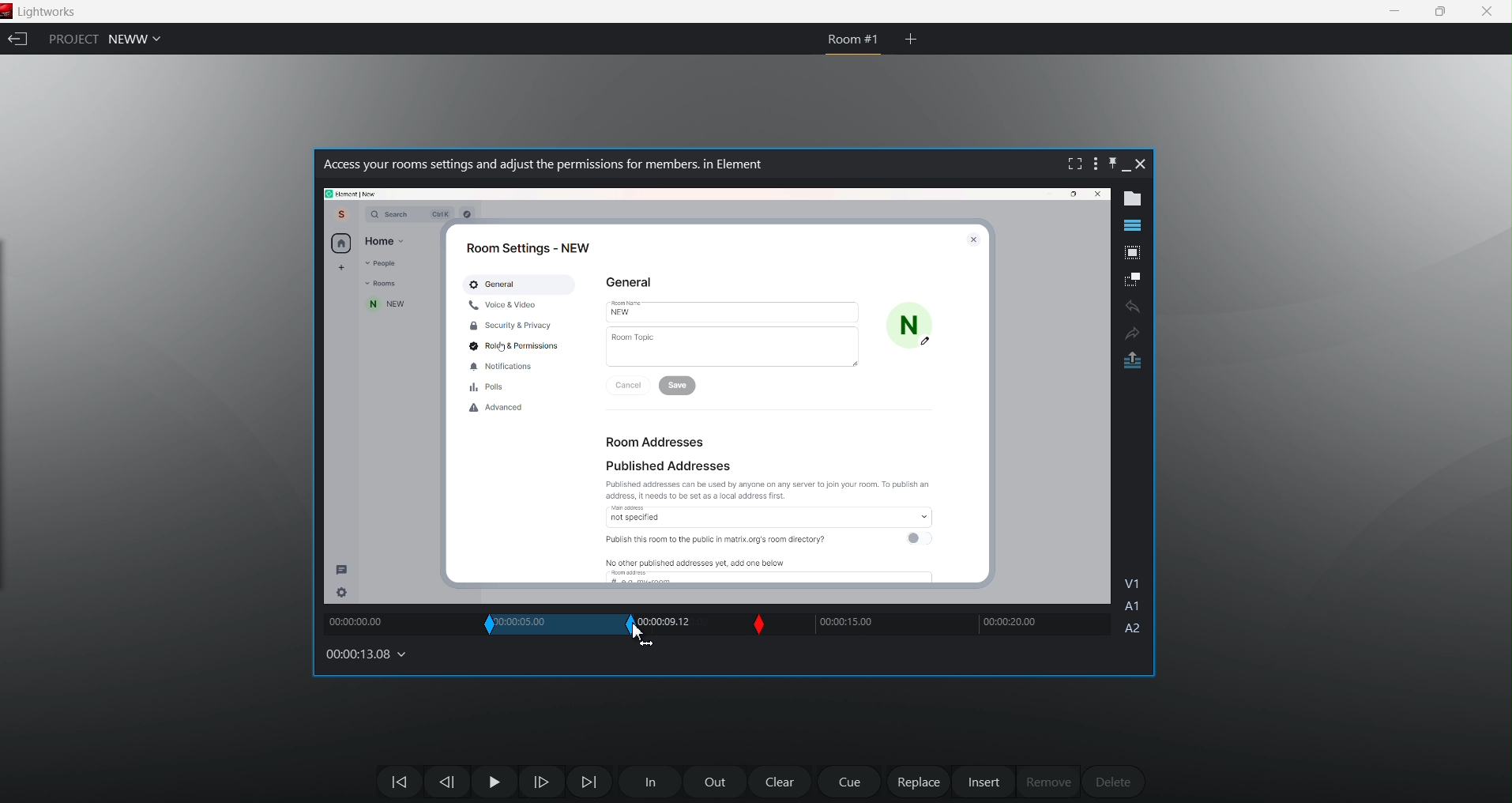 Image resolution: width=1512 pixels, height=803 pixels. What do you see at coordinates (1488, 10) in the screenshot?
I see `close` at bounding box center [1488, 10].